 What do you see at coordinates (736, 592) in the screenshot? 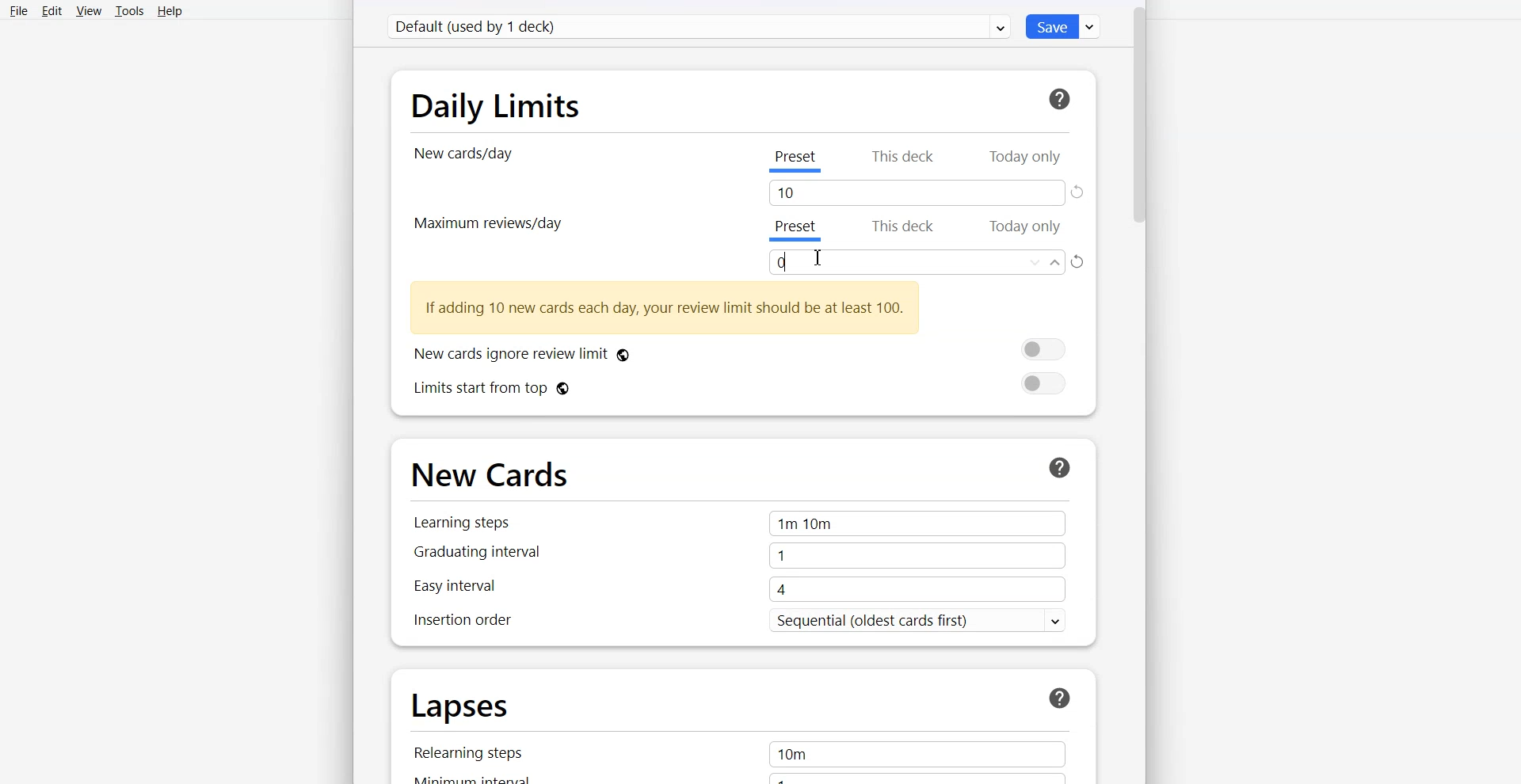
I see `Easy Interval` at bounding box center [736, 592].